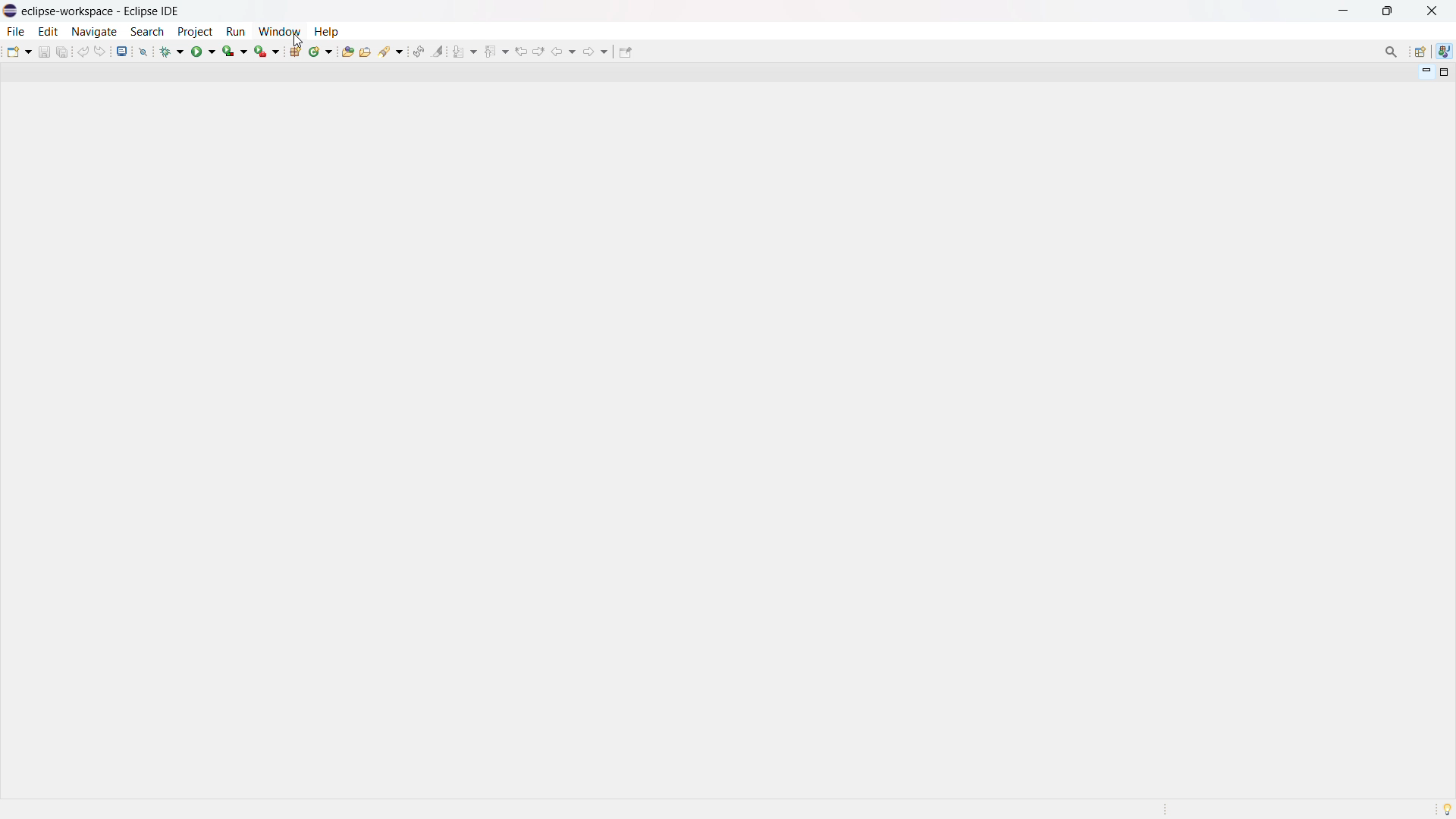 The image size is (1456, 819). What do you see at coordinates (11, 11) in the screenshot?
I see `logo` at bounding box center [11, 11].